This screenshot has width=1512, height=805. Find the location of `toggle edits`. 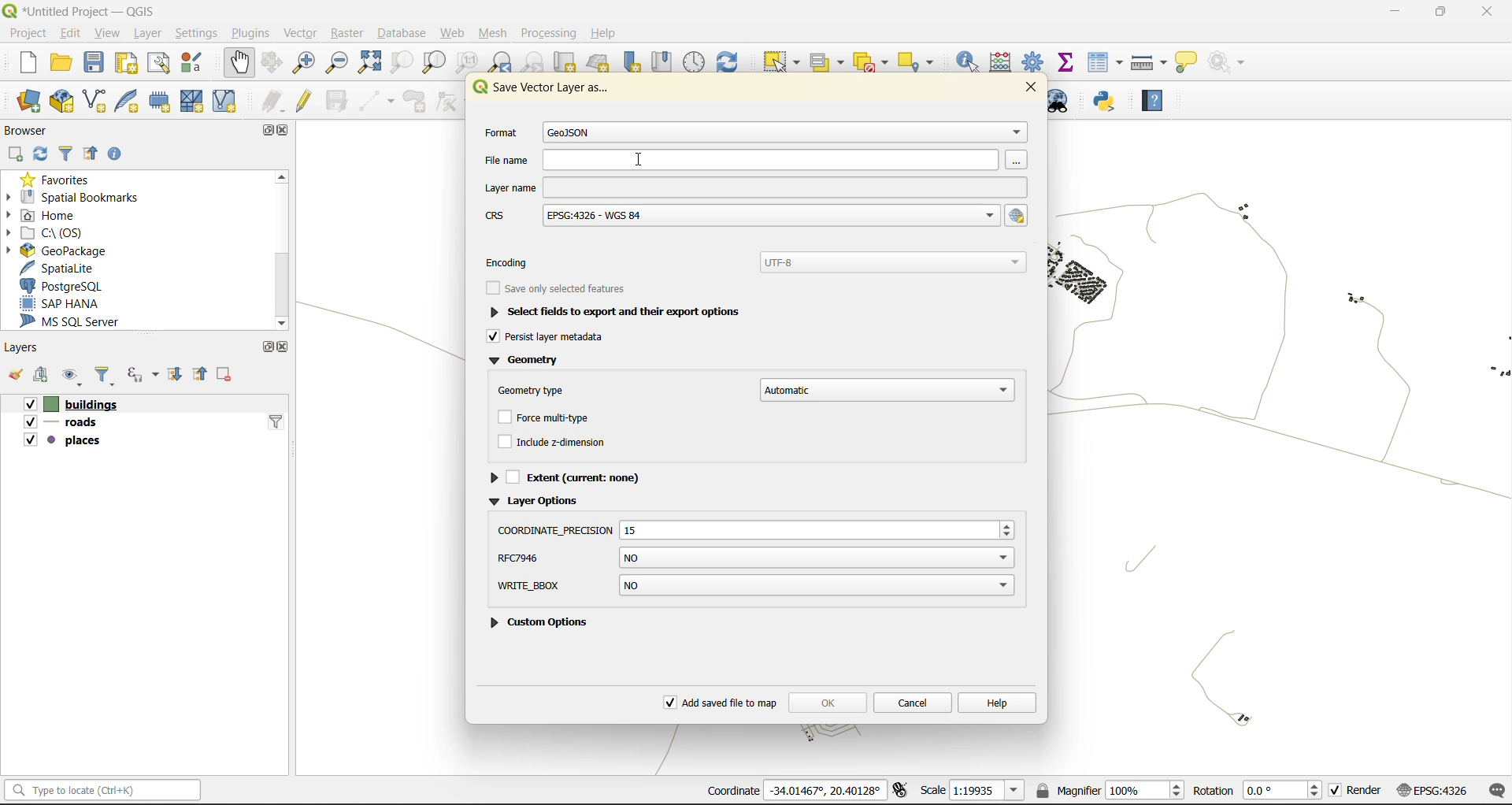

toggle edits is located at coordinates (304, 99).